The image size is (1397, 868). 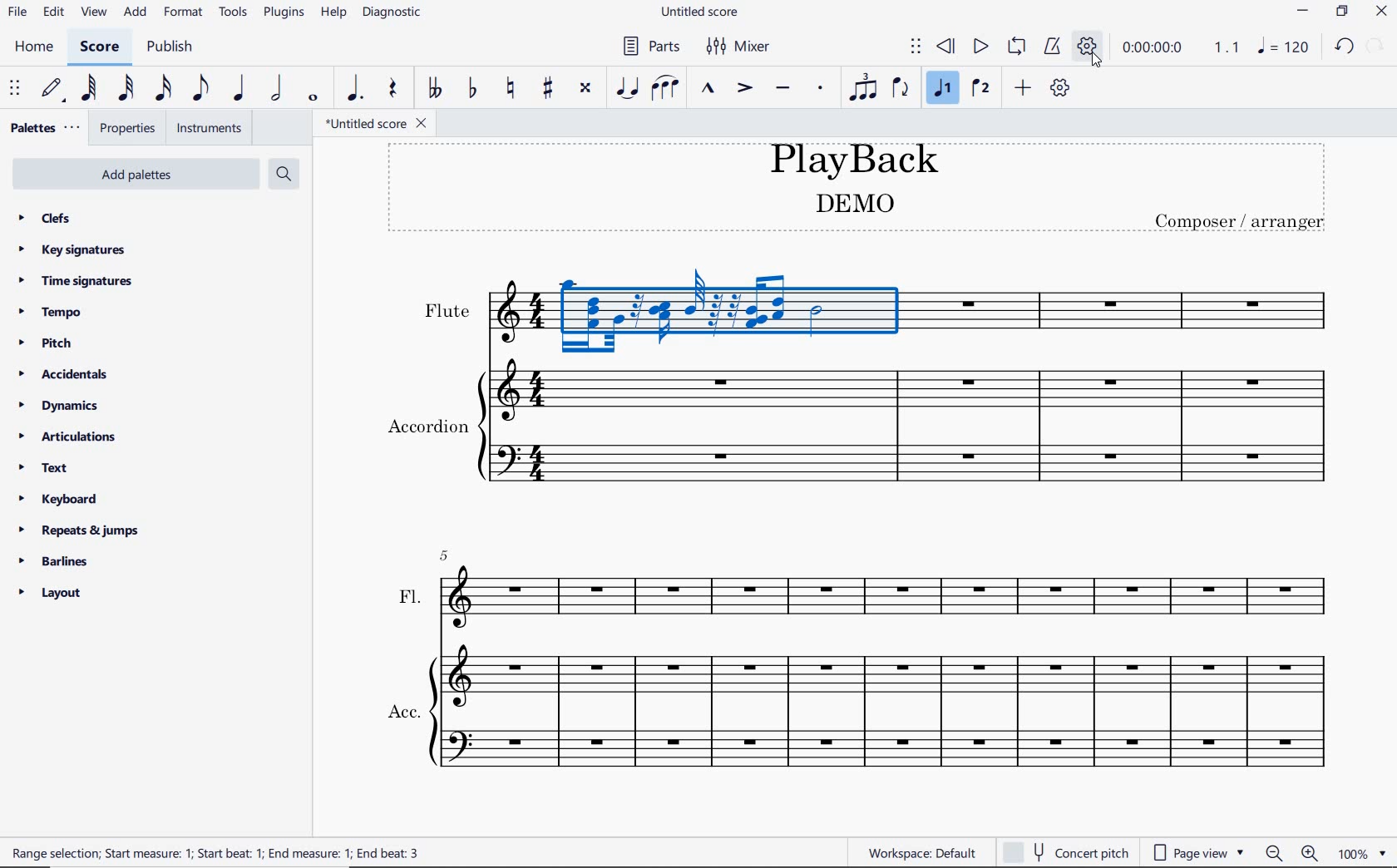 I want to click on RANGE SELECTION, so click(x=223, y=851).